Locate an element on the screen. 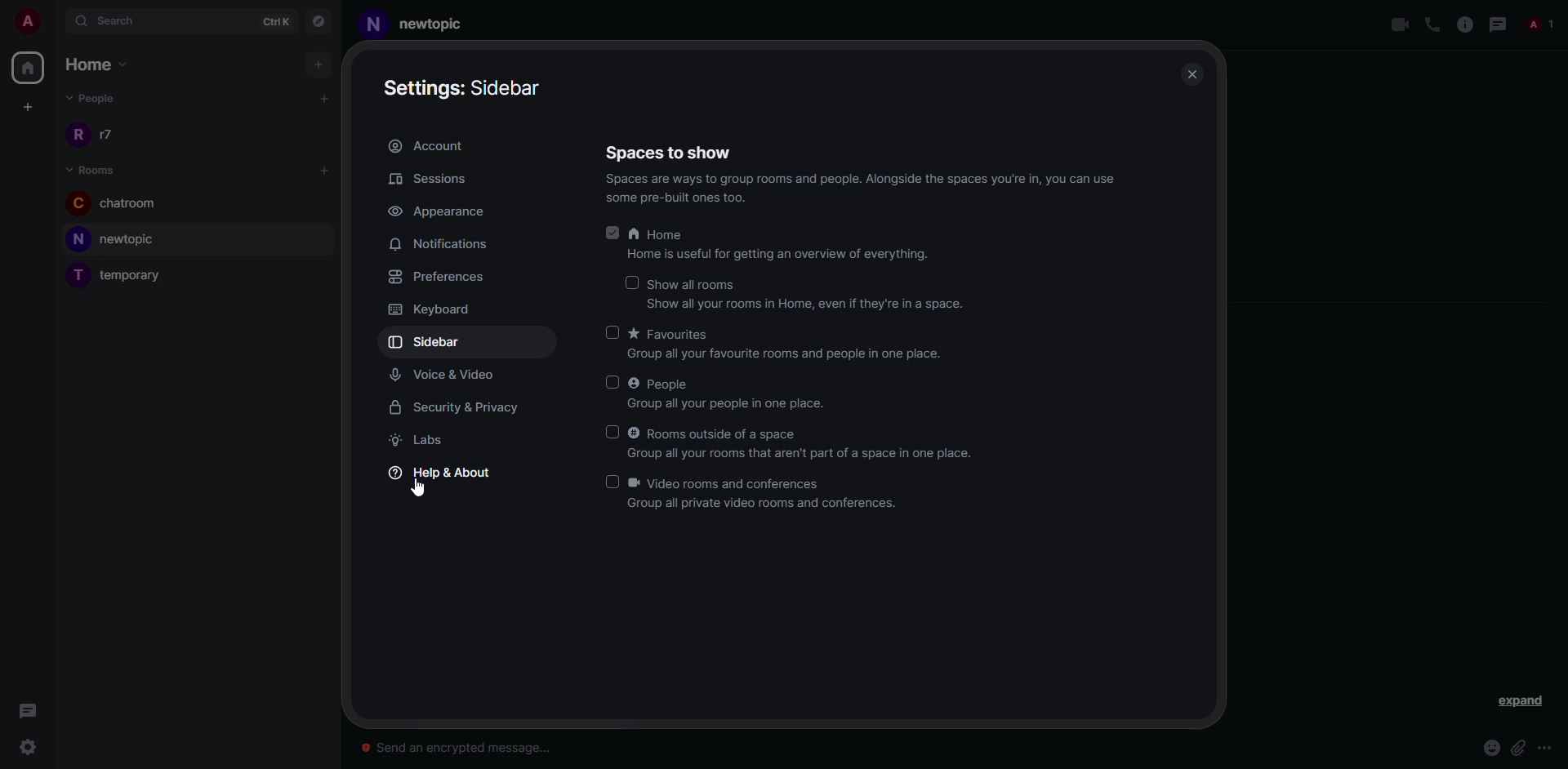 This screenshot has width=1568, height=769. click is located at coordinates (30, 748).